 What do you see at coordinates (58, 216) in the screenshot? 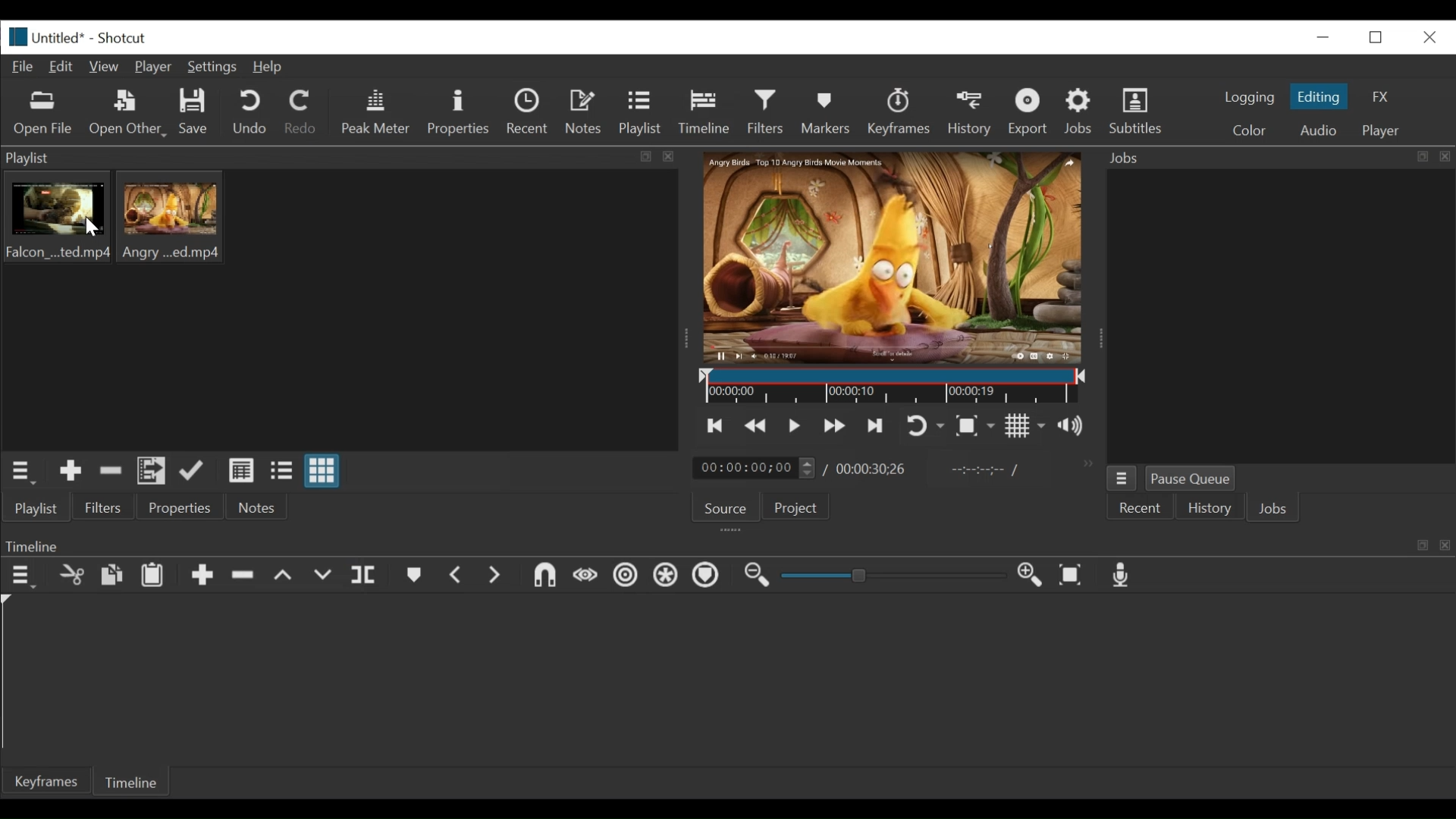
I see `clips` at bounding box center [58, 216].